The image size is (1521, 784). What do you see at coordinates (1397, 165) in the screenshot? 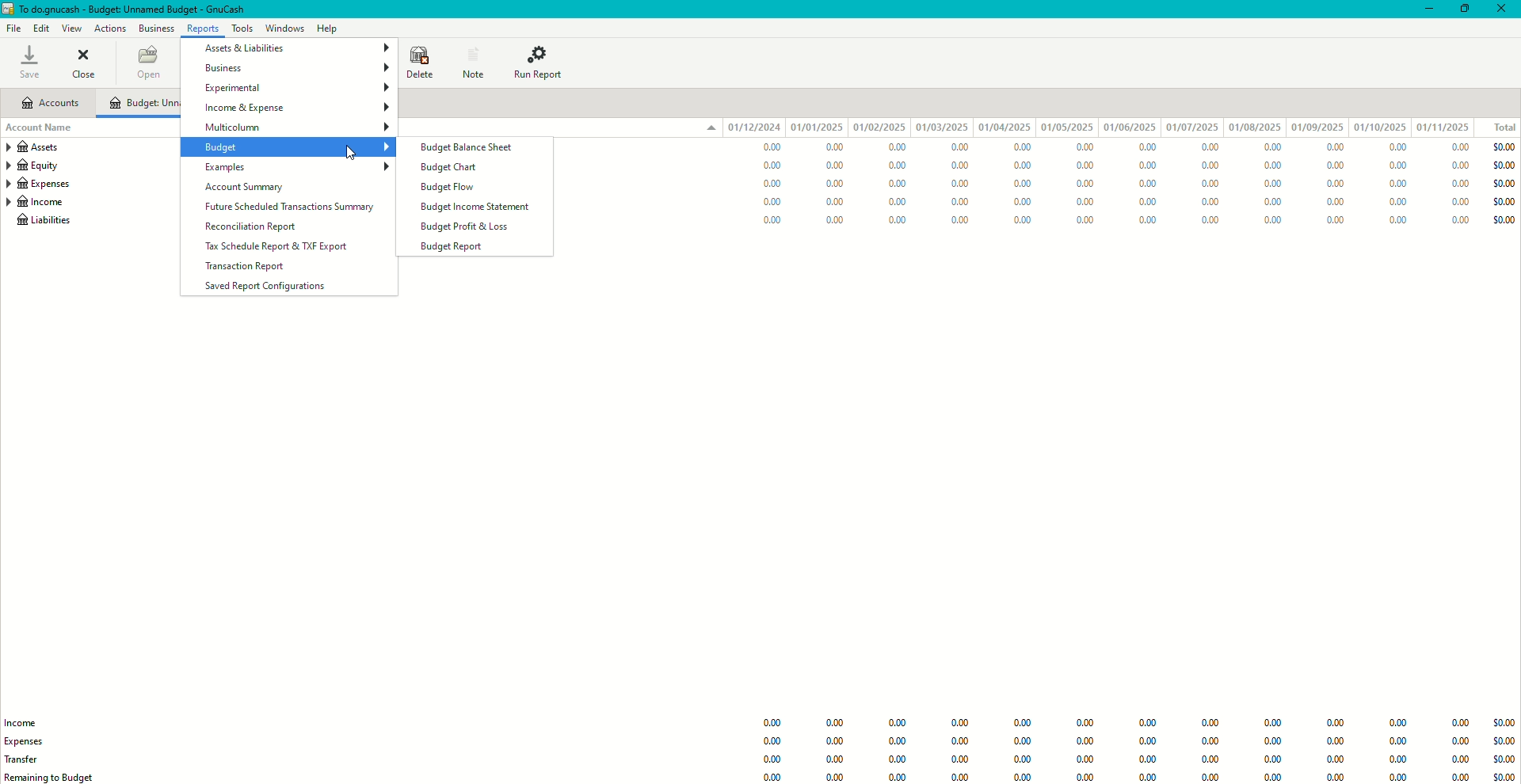
I see `0.00` at bounding box center [1397, 165].